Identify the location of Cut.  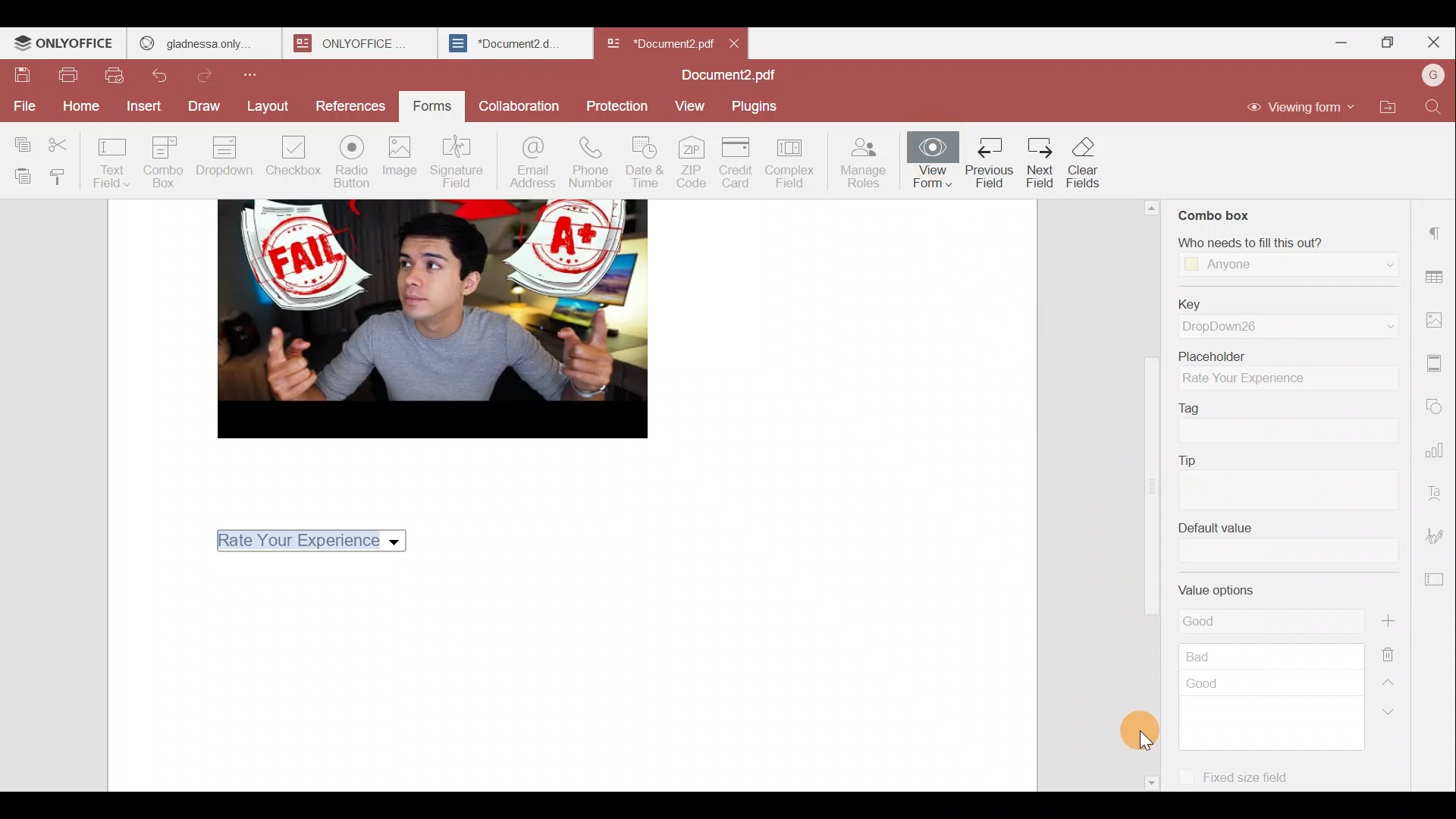
(70, 142).